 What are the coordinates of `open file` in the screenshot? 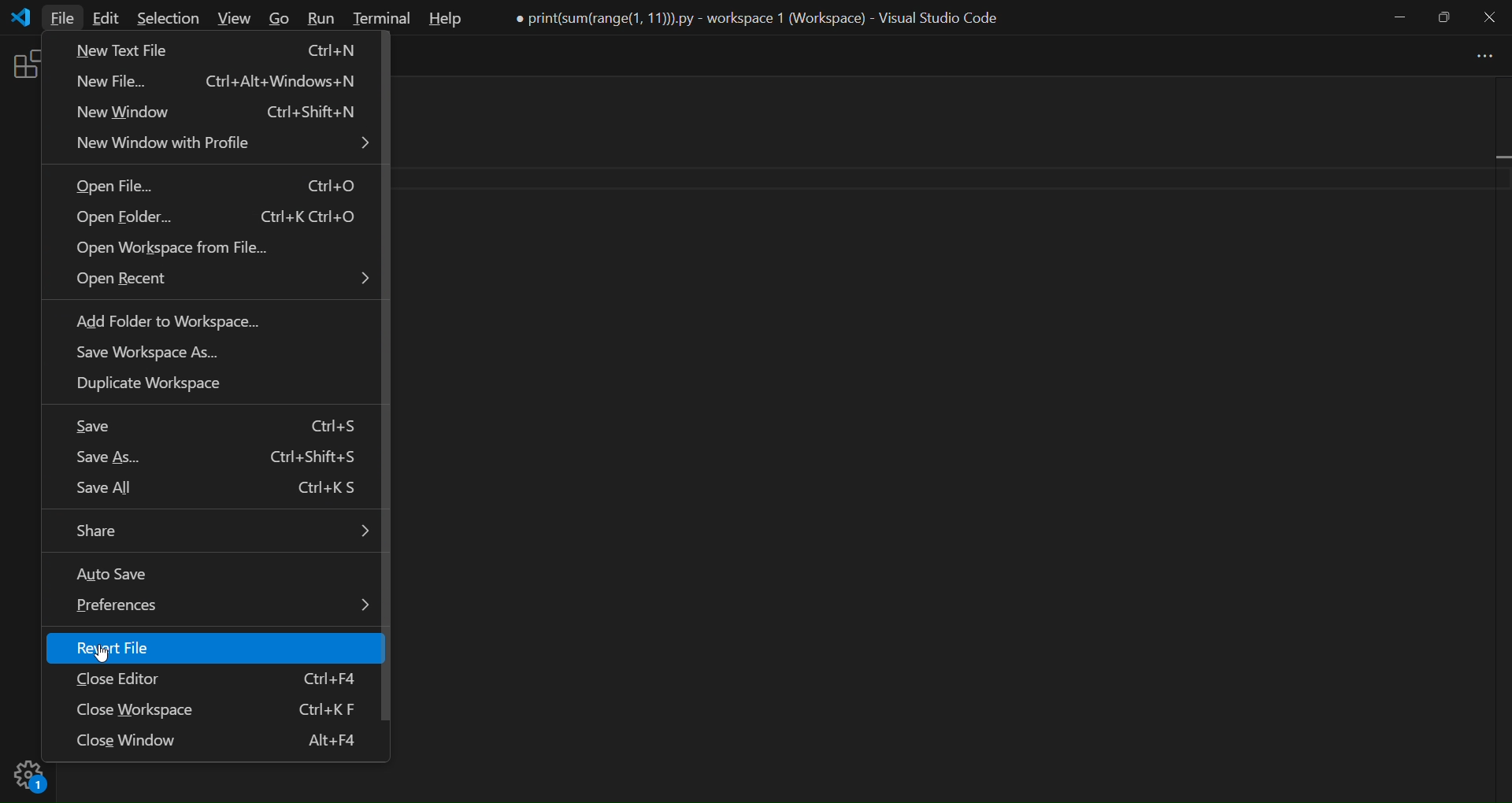 It's located at (211, 187).